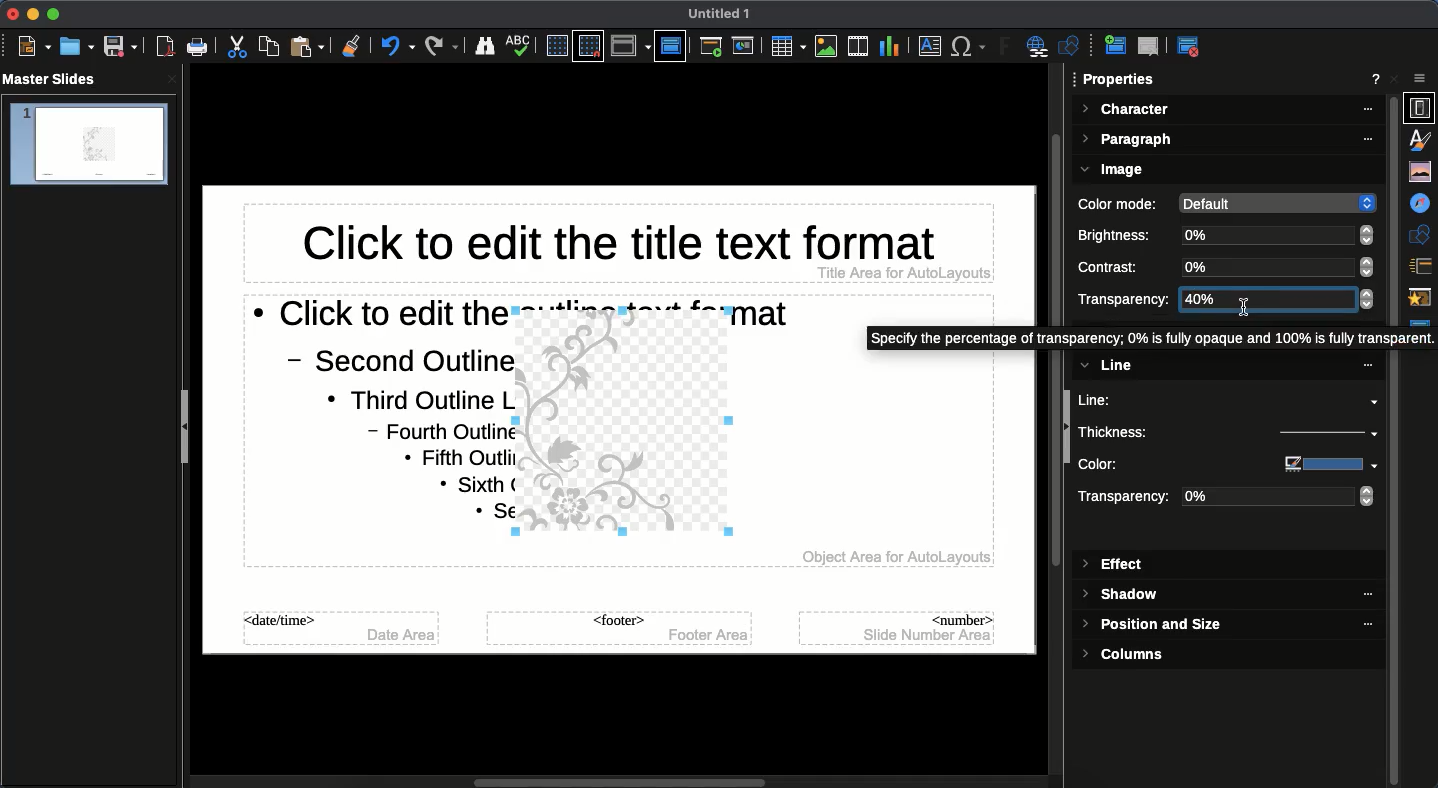 This screenshot has width=1438, height=788. I want to click on Maximize, so click(52, 14).